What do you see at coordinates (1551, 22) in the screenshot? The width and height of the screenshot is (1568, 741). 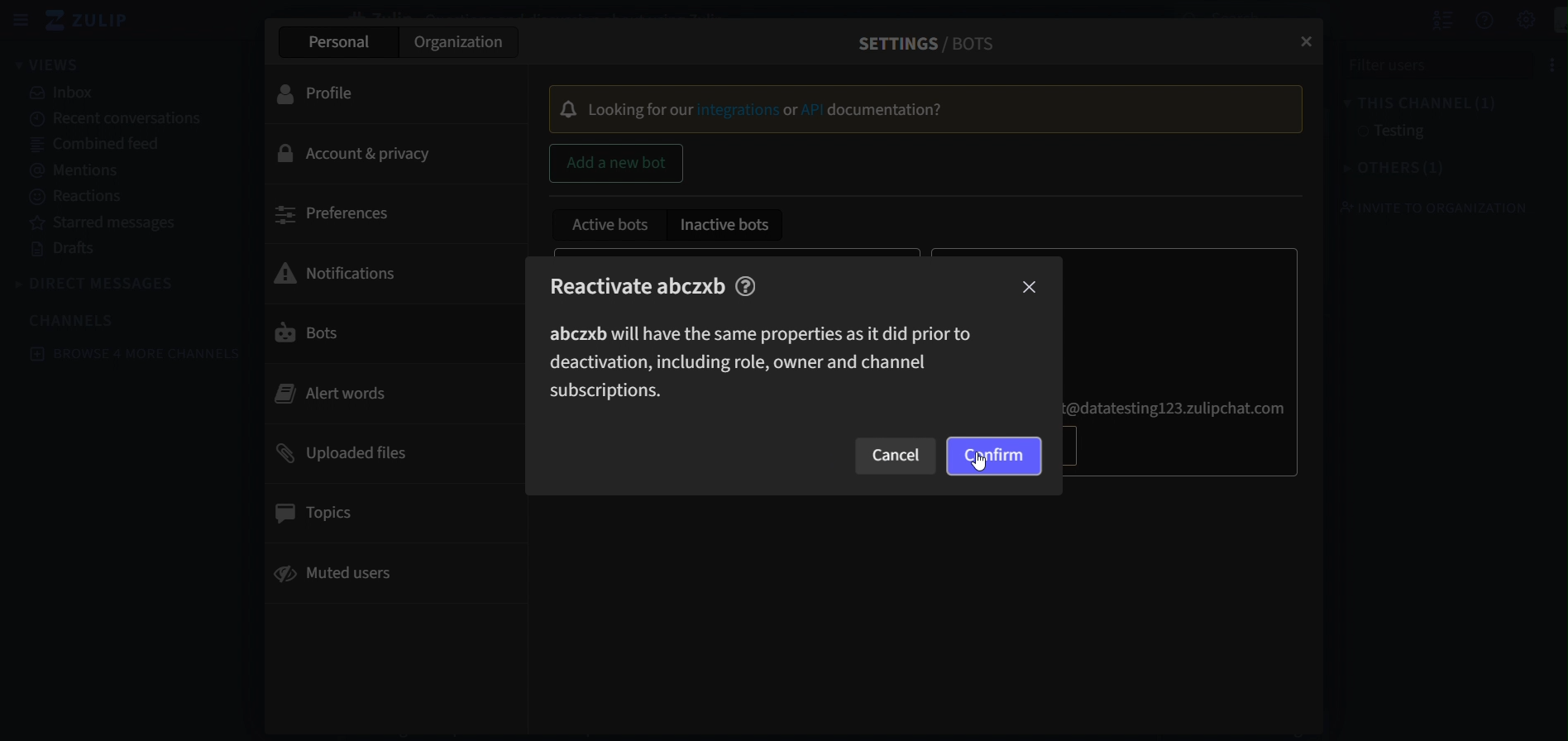 I see `personal menu` at bounding box center [1551, 22].